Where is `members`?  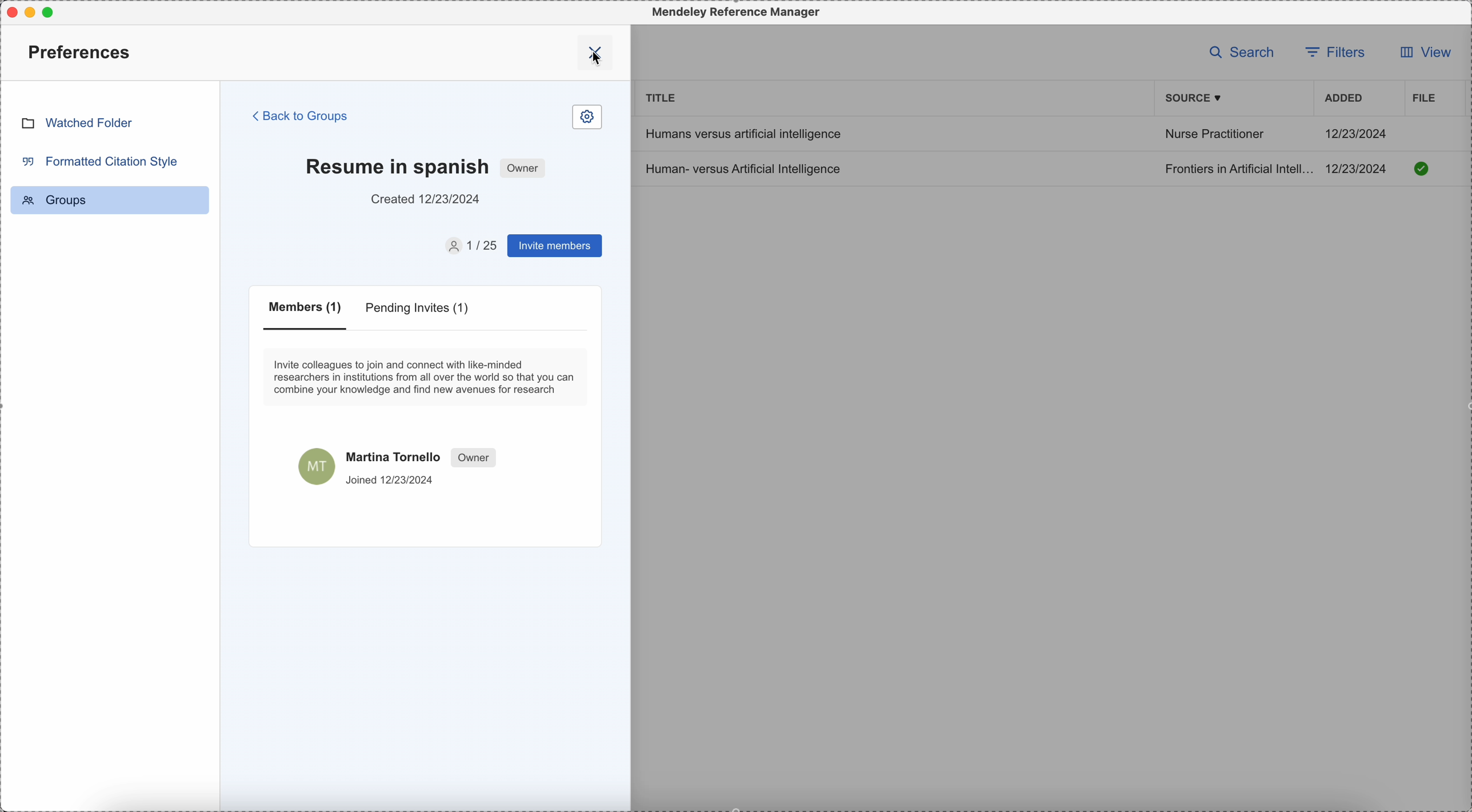 members is located at coordinates (307, 315).